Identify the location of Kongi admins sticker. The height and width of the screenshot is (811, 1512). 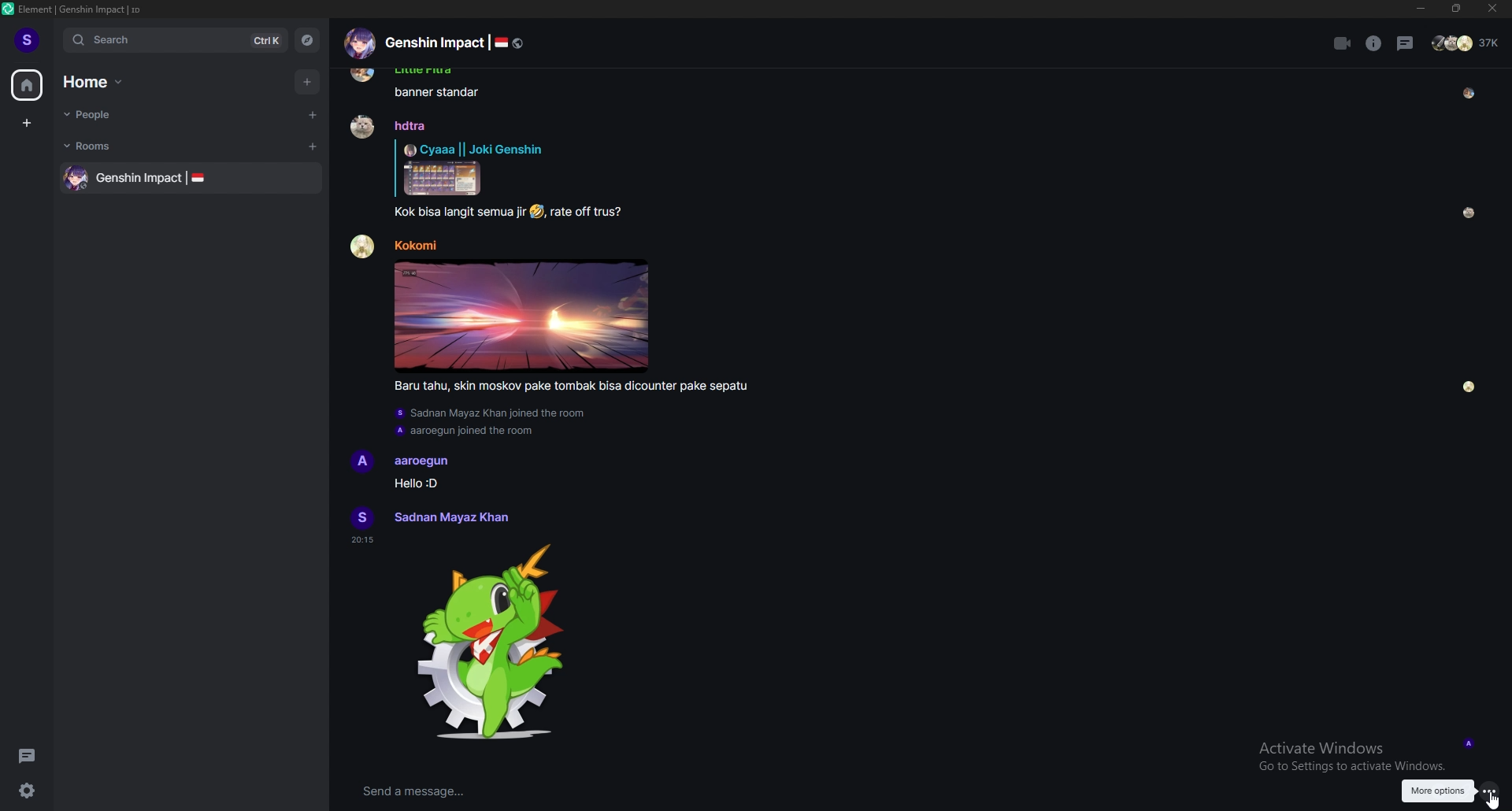
(490, 643).